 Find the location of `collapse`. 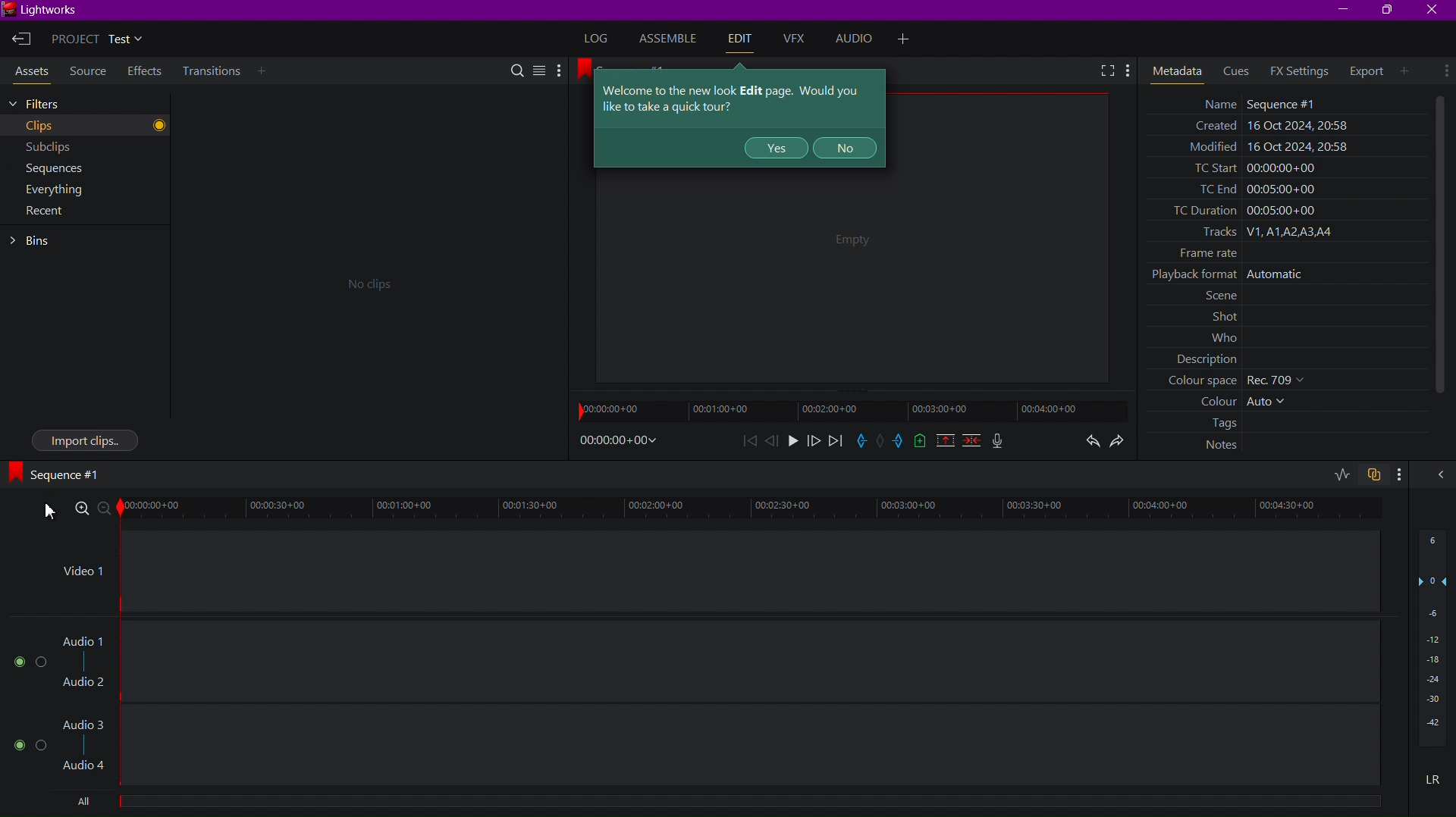

collapse is located at coordinates (1444, 475).